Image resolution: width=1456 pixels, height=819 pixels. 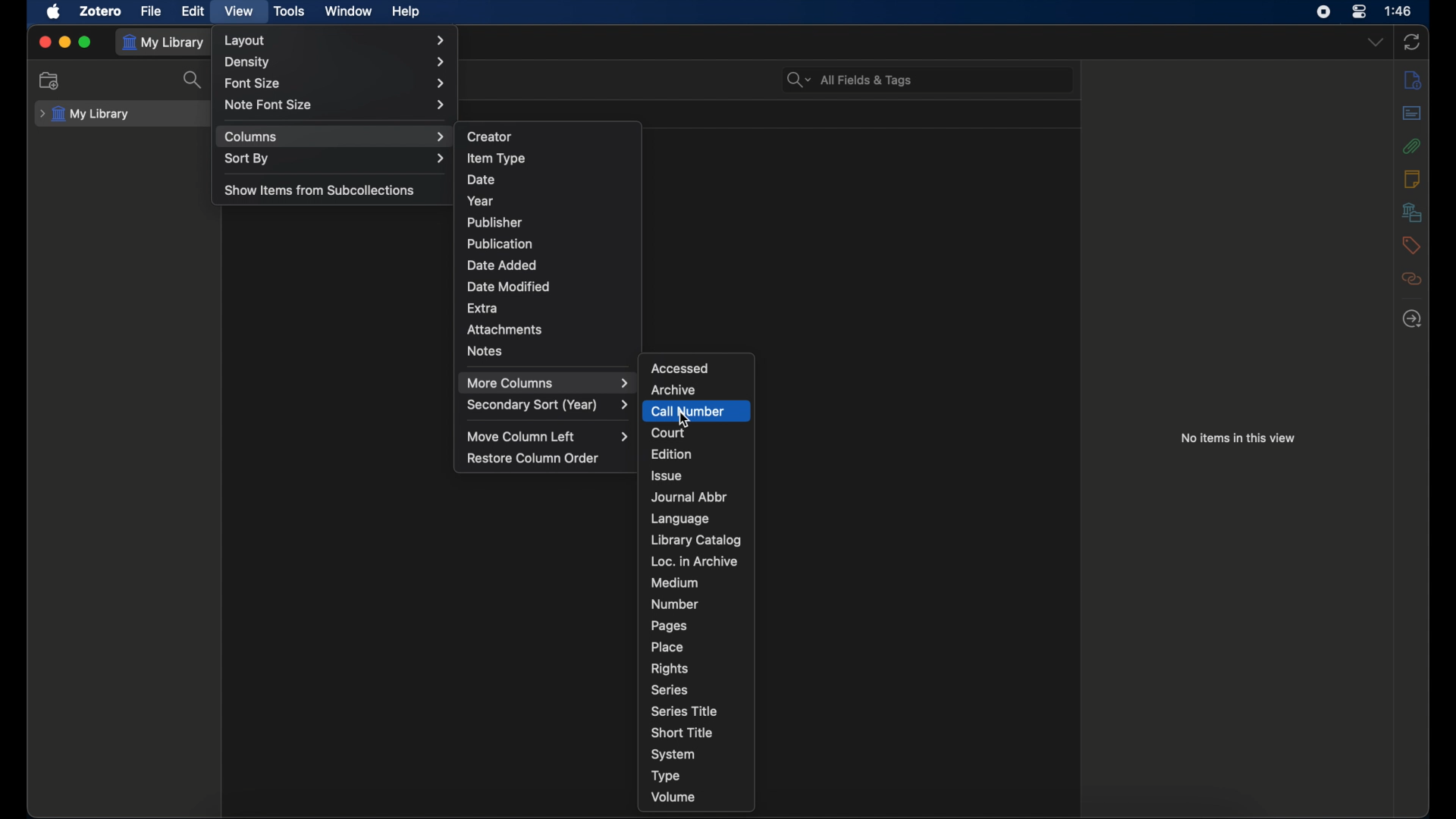 I want to click on my library, so click(x=85, y=115).